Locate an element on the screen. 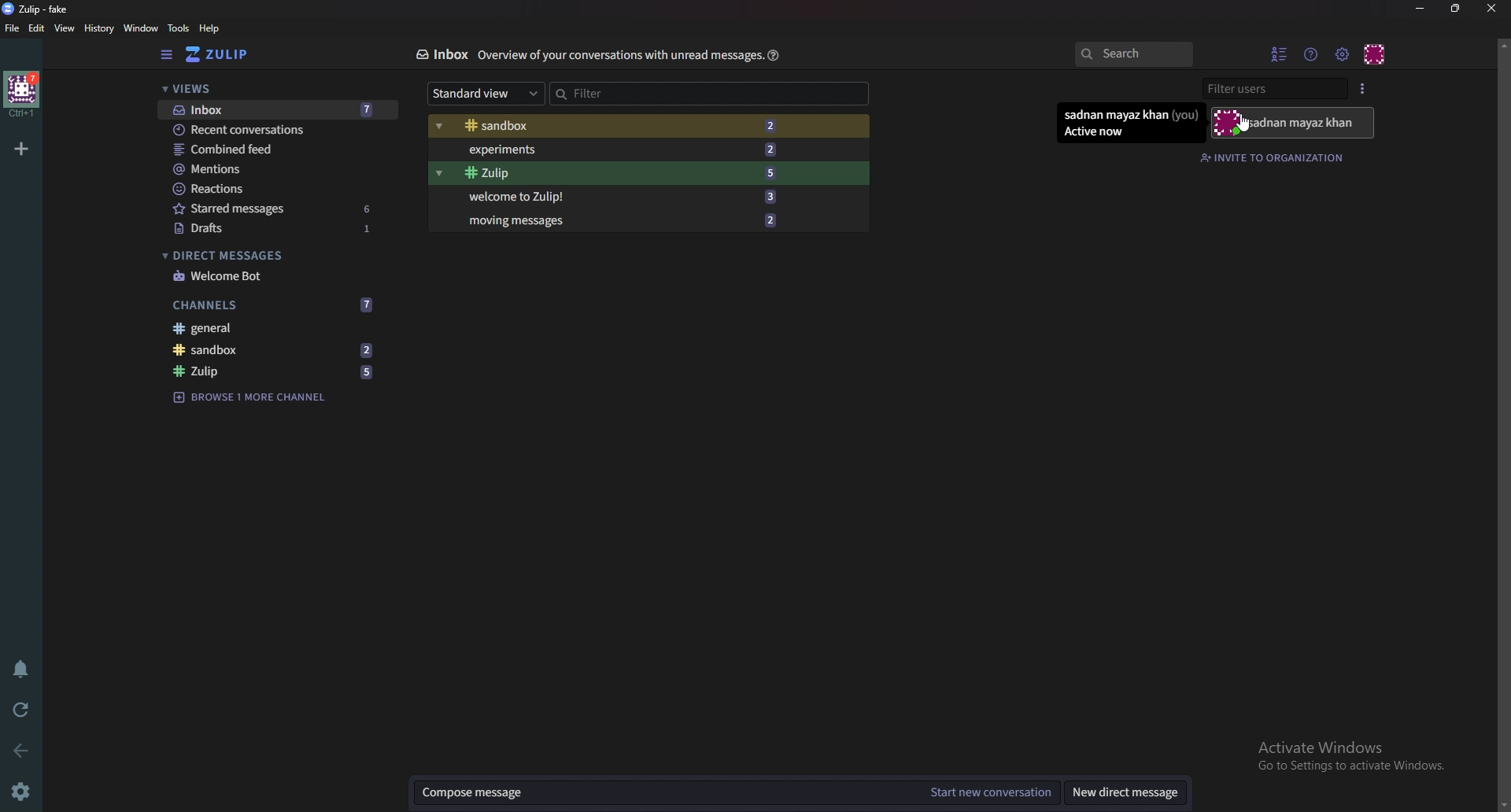 The height and width of the screenshot is (812, 1511). Help is located at coordinates (774, 55).